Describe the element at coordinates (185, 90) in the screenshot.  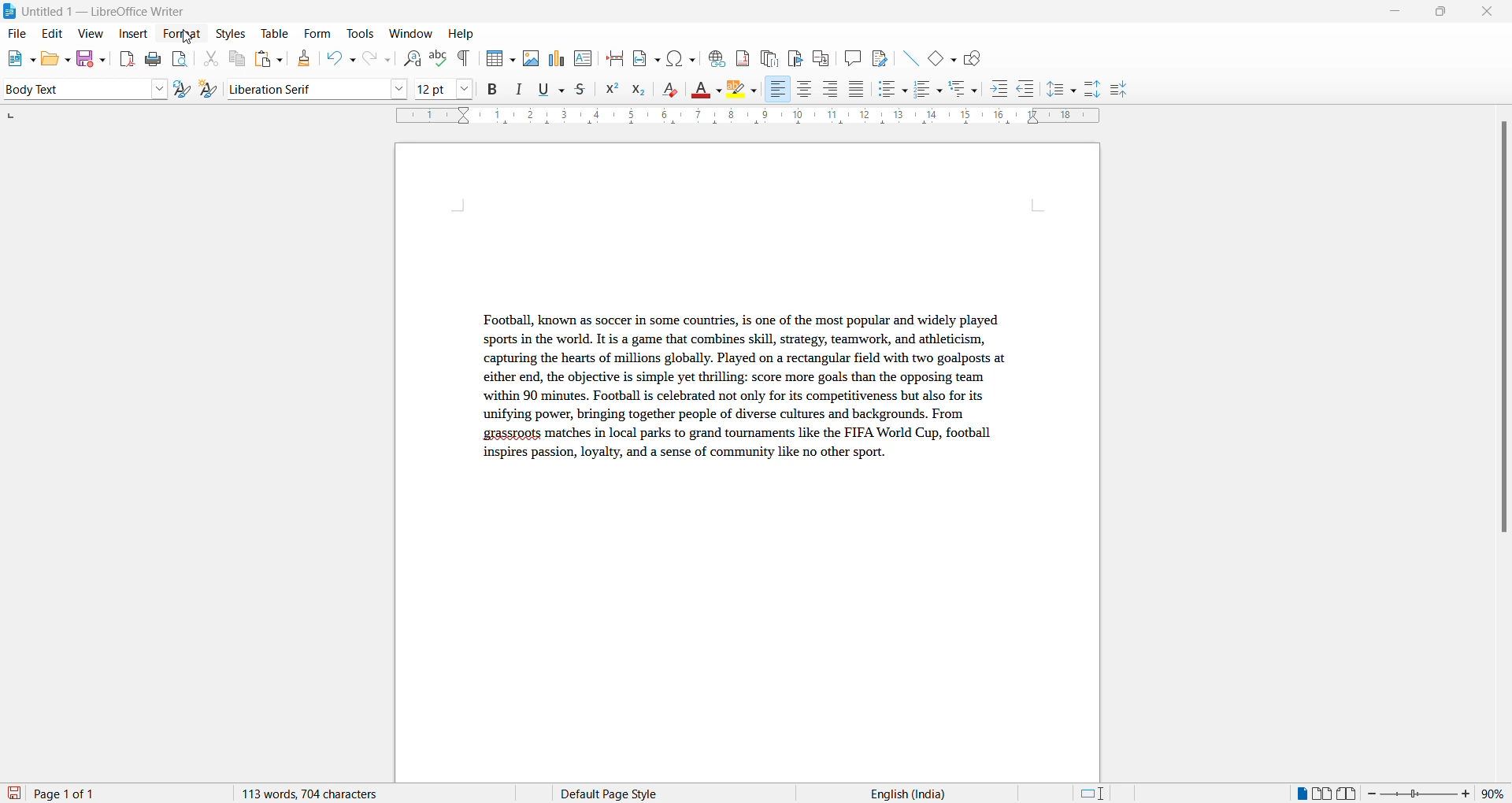
I see `update selected style` at that location.